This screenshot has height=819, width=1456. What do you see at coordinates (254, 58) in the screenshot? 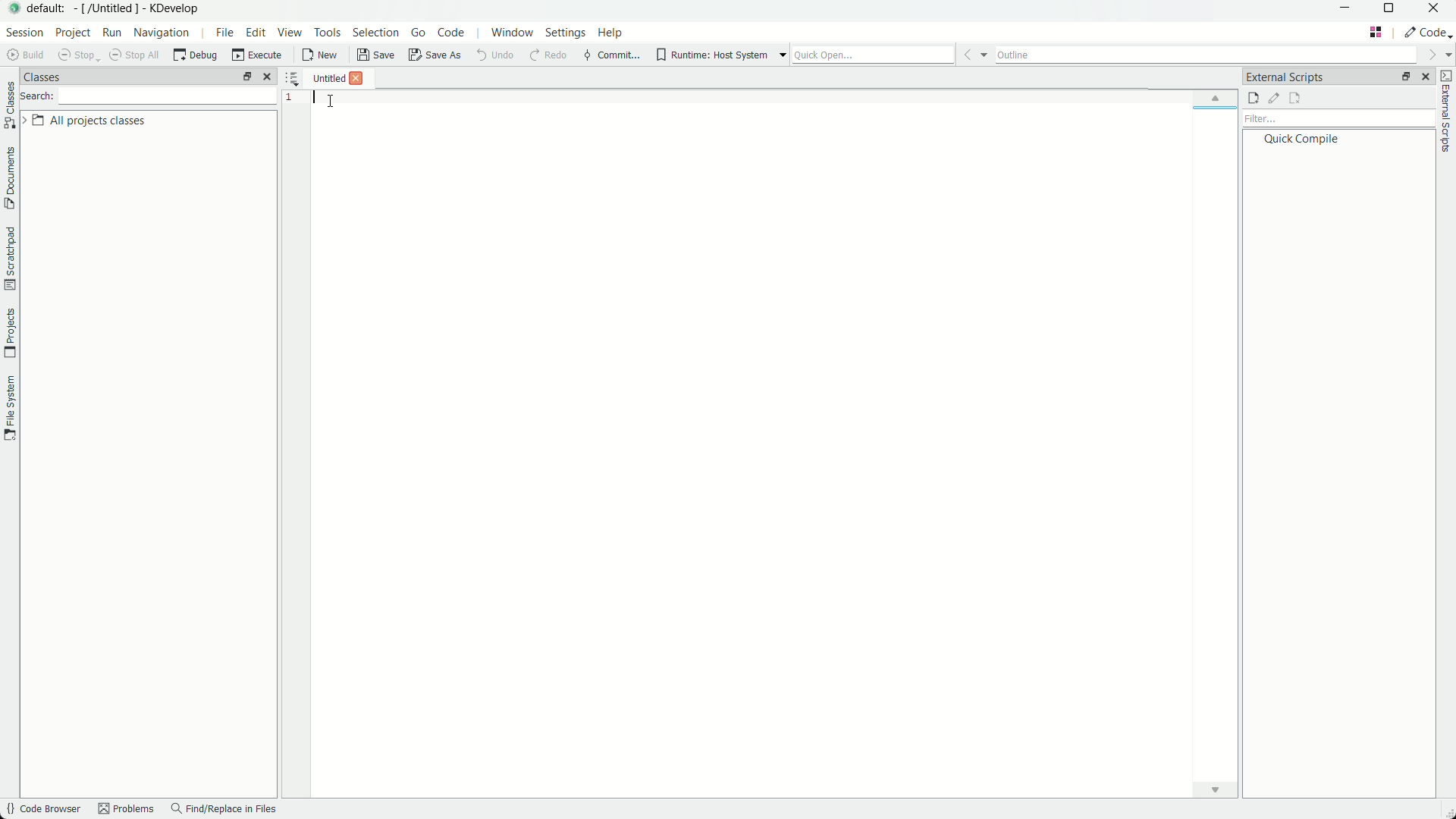
I see `execute` at bounding box center [254, 58].